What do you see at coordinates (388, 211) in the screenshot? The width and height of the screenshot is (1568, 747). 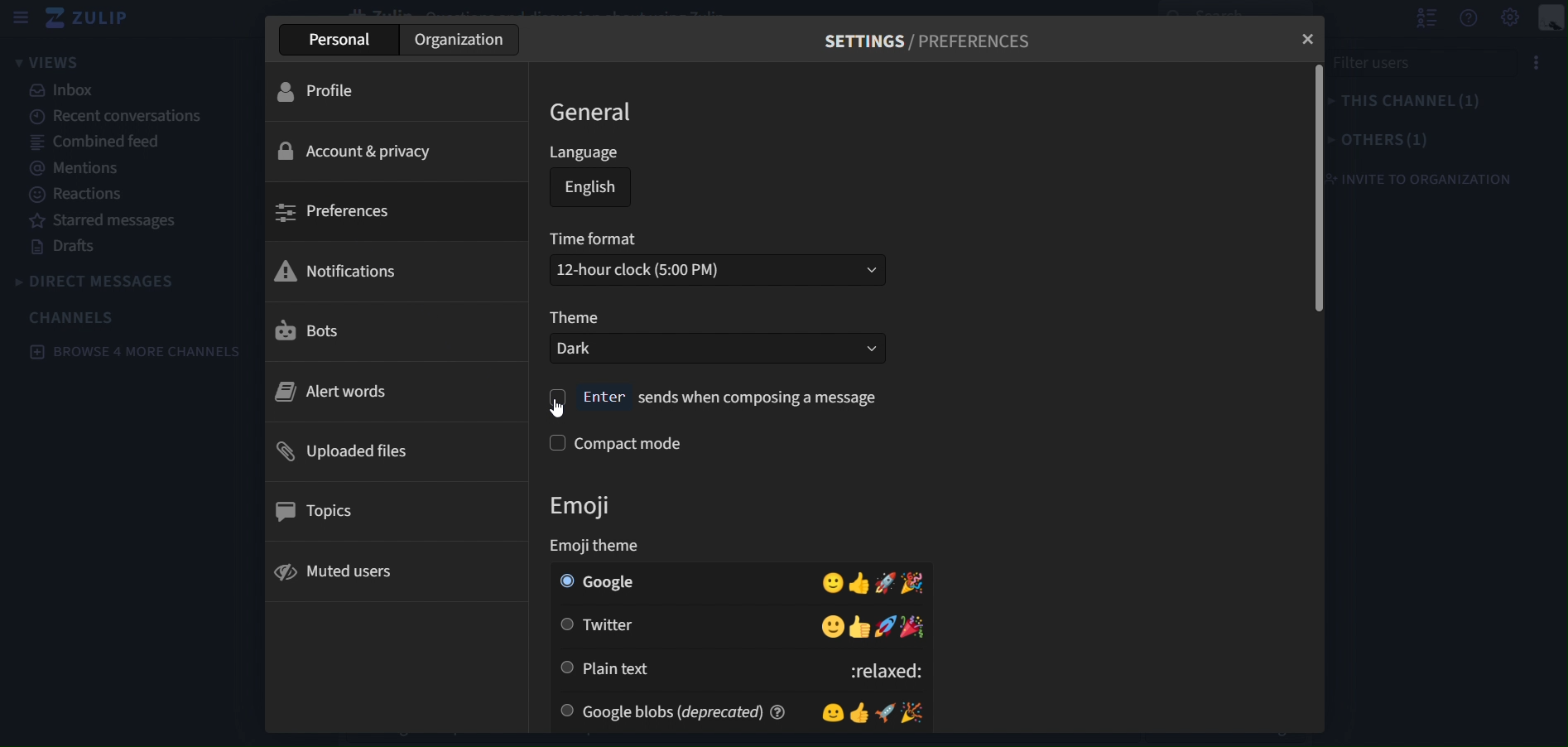 I see `preferences` at bounding box center [388, 211].